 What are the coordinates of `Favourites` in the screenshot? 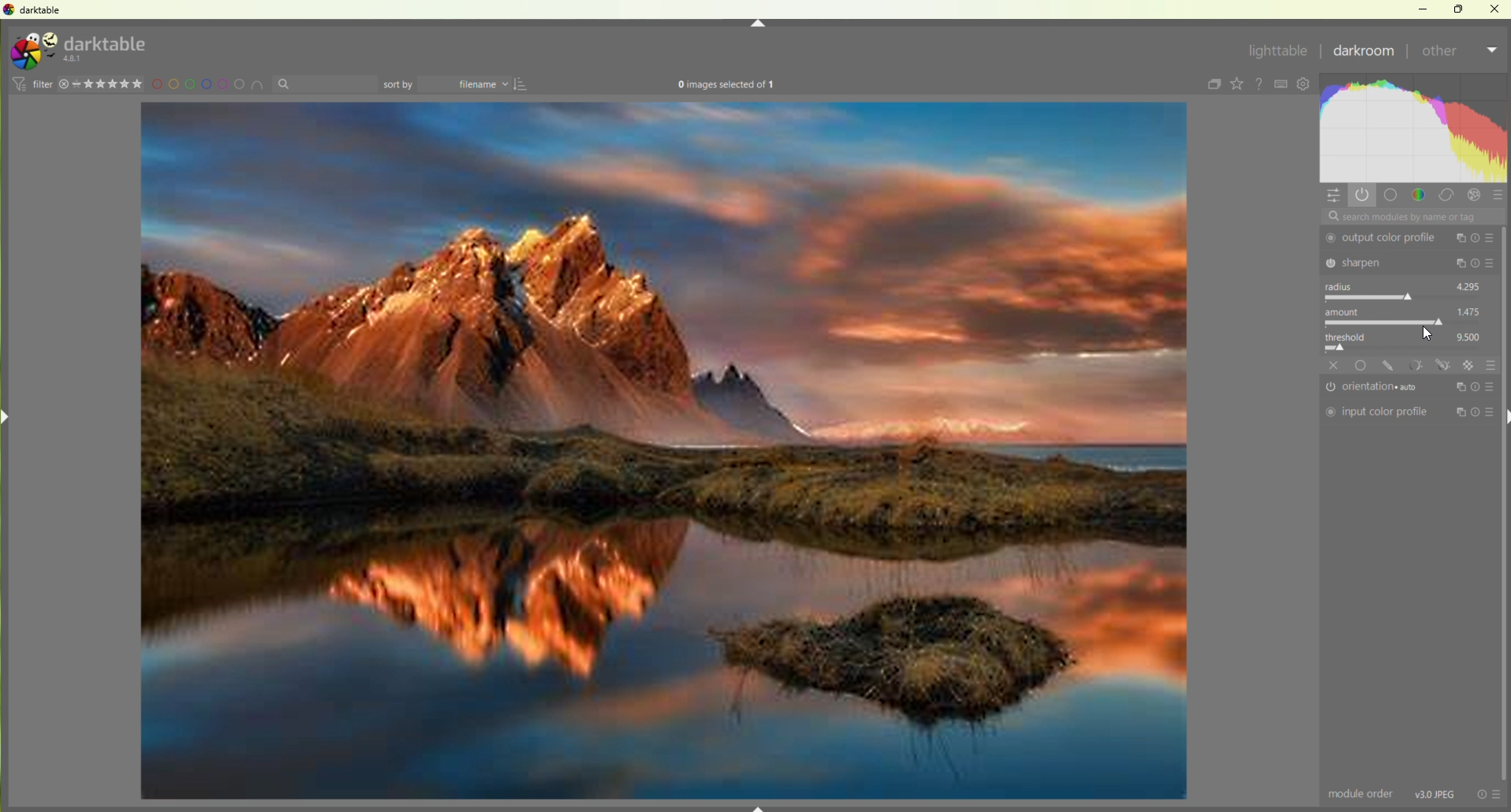 It's located at (1237, 84).